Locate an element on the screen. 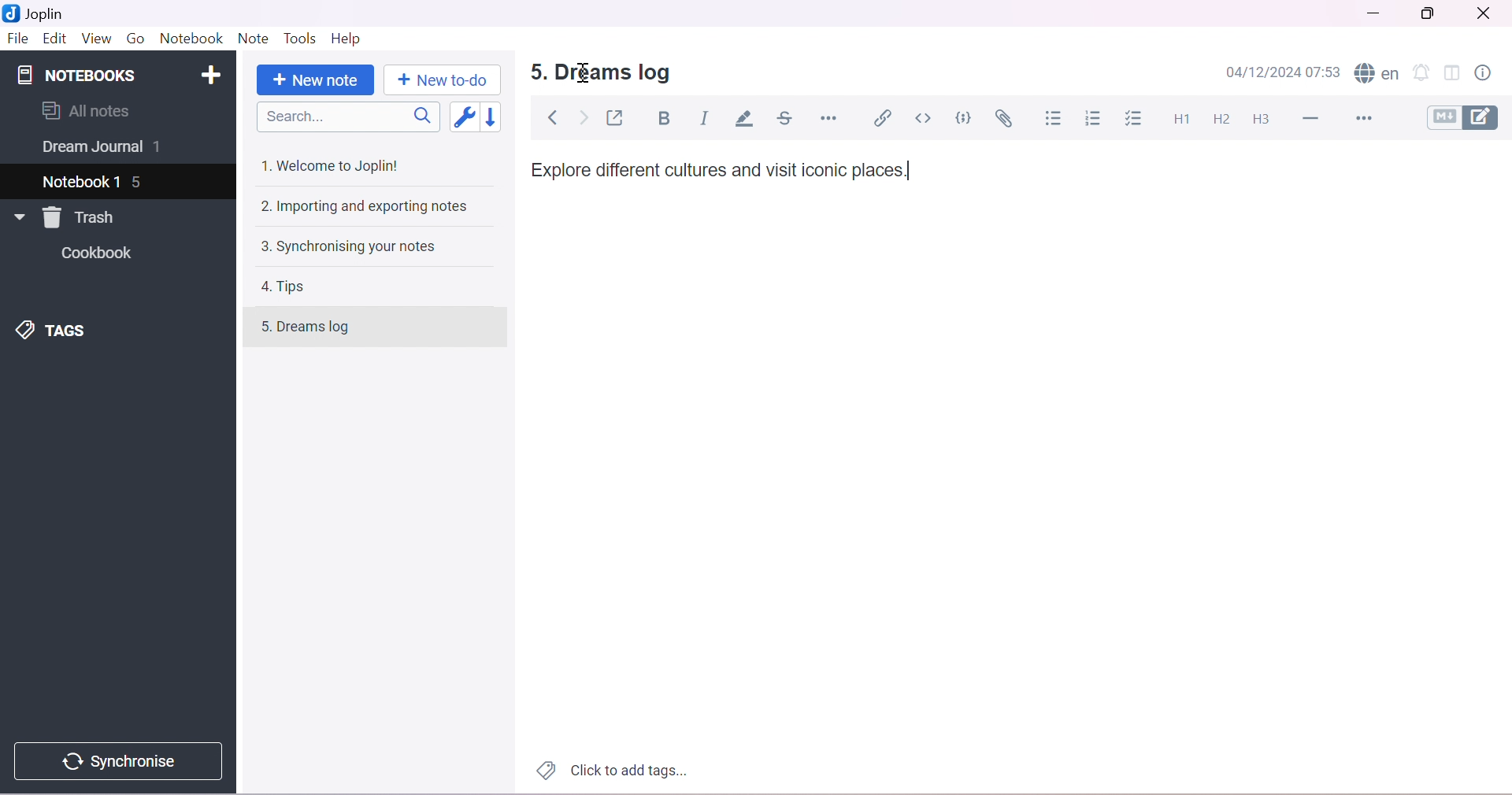 The width and height of the screenshot is (1512, 795). Highlight is located at coordinates (747, 120).